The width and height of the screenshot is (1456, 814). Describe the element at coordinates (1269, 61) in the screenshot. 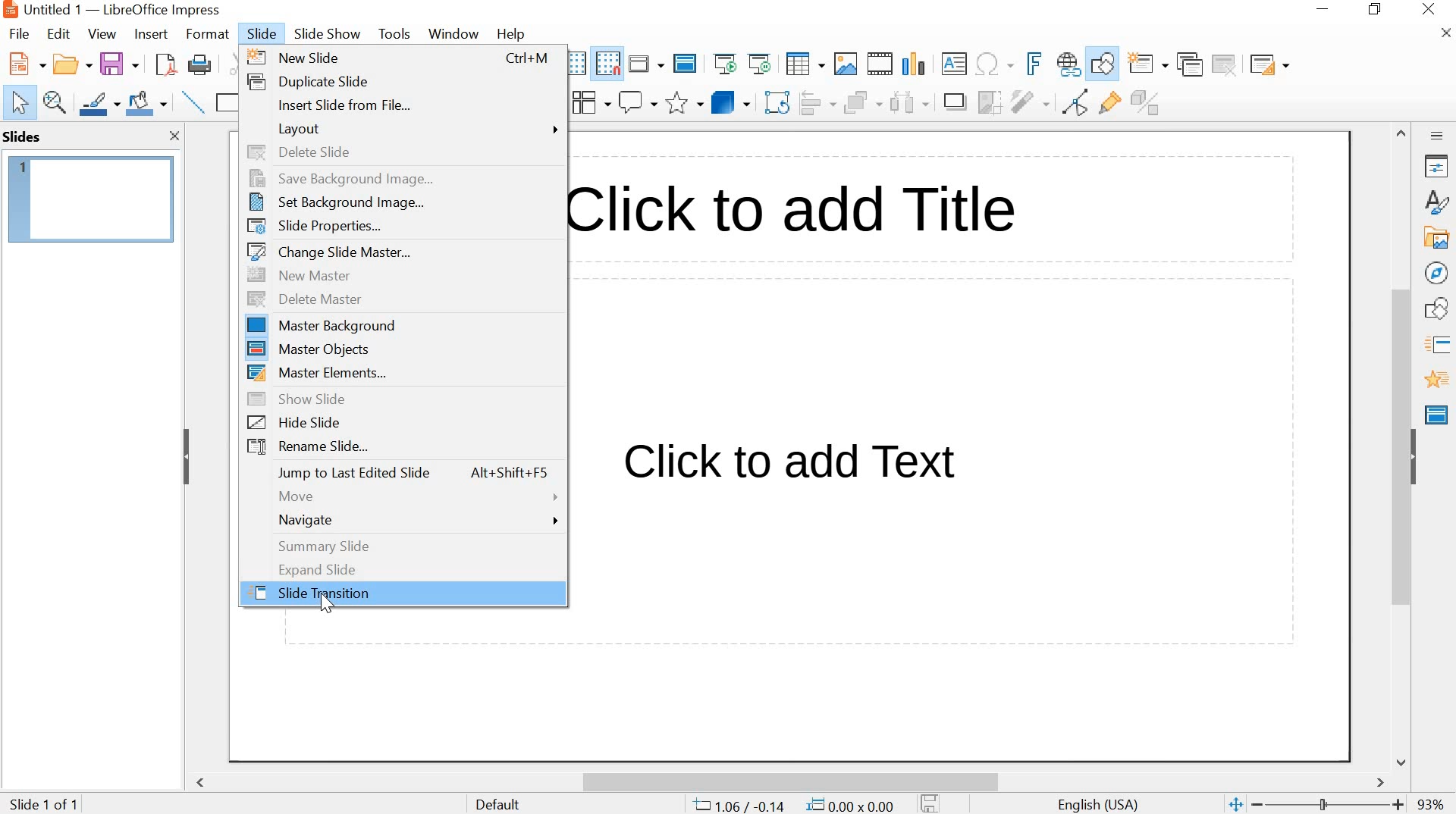

I see `Slide layout` at that location.